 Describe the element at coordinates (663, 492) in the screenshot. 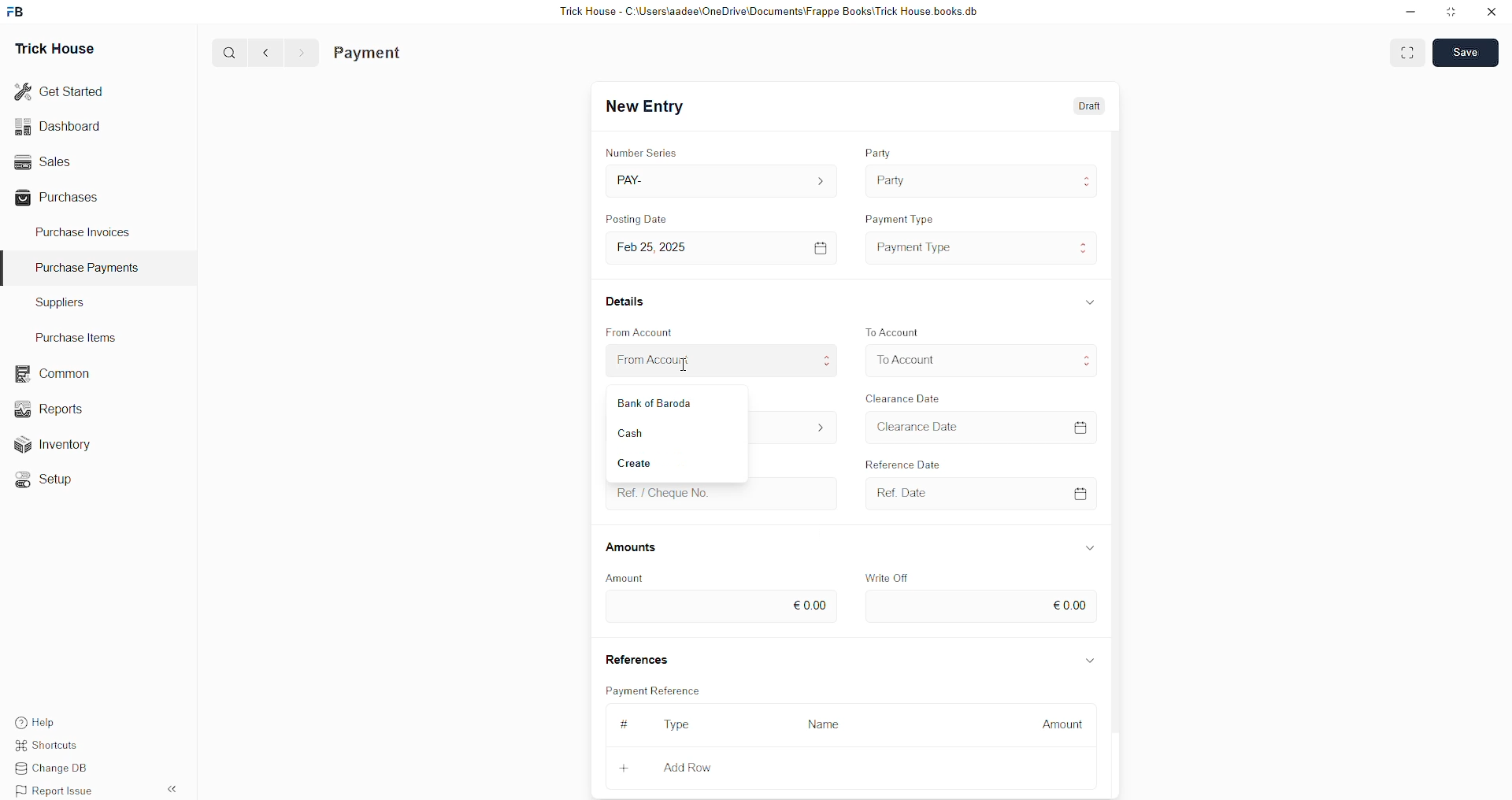

I see `Ref. / Cheque No.` at that location.